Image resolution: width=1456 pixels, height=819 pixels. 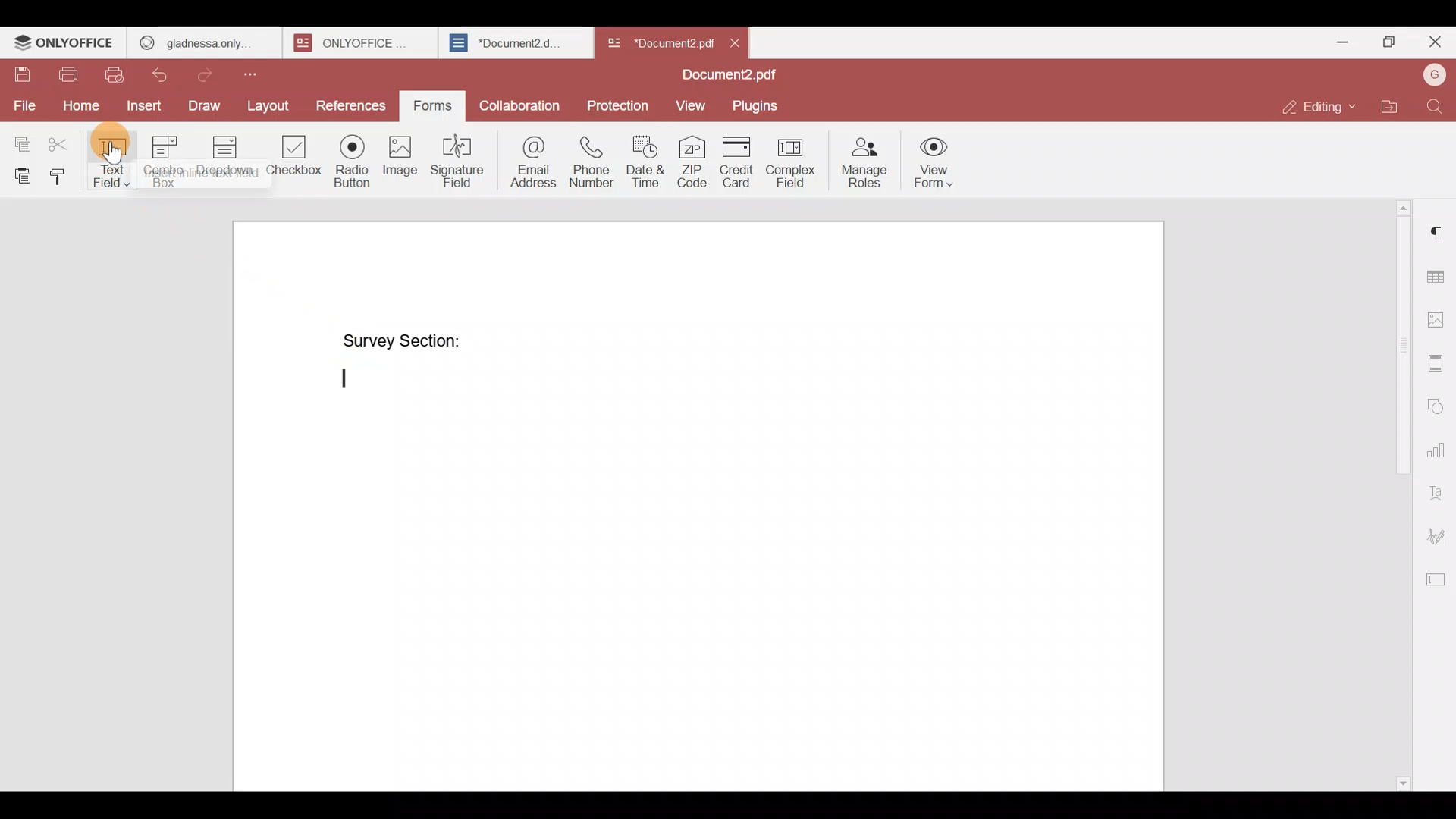 What do you see at coordinates (1438, 315) in the screenshot?
I see `Image settings` at bounding box center [1438, 315].